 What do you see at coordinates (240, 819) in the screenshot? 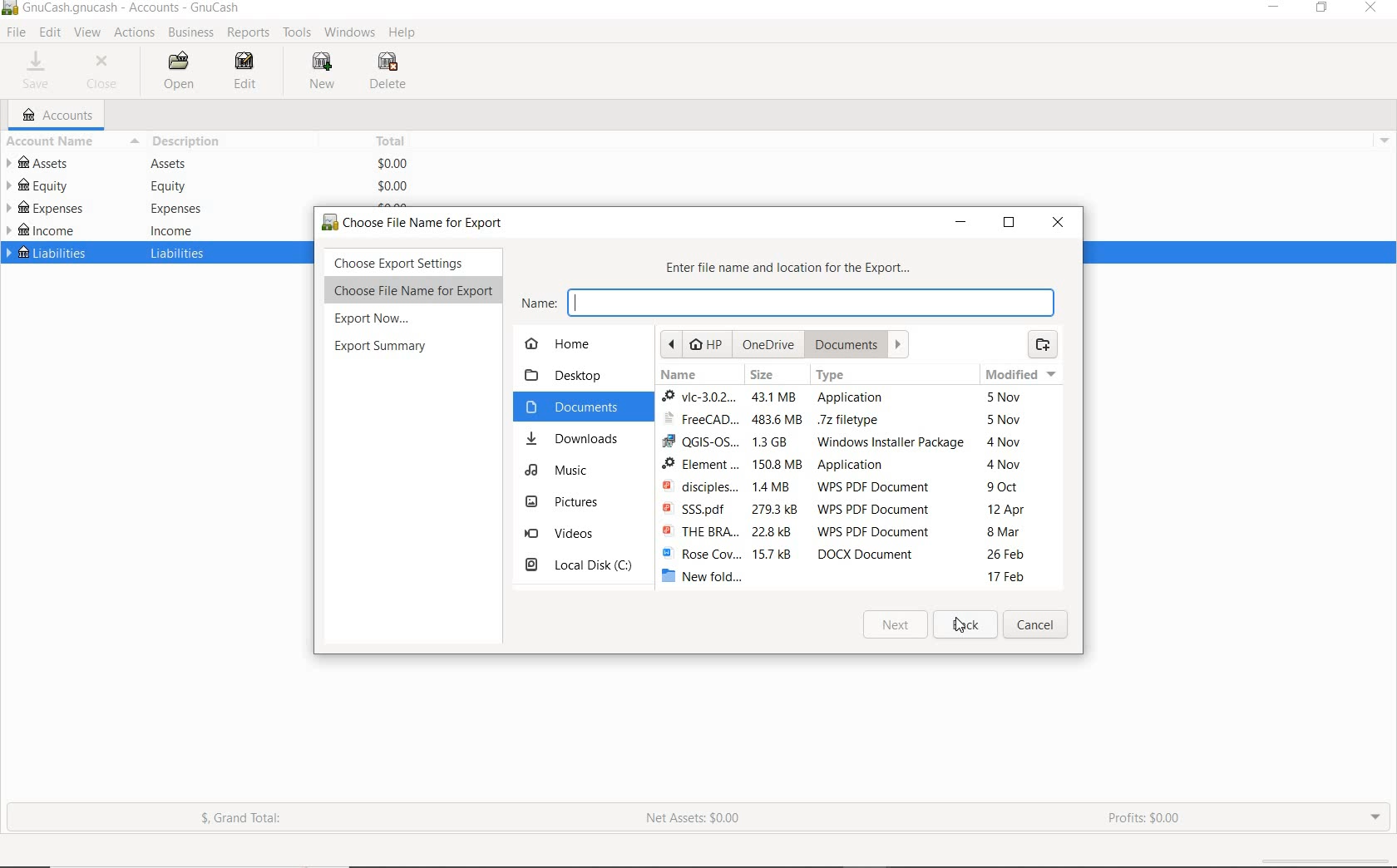
I see `GRAND TOTAL` at bounding box center [240, 819].